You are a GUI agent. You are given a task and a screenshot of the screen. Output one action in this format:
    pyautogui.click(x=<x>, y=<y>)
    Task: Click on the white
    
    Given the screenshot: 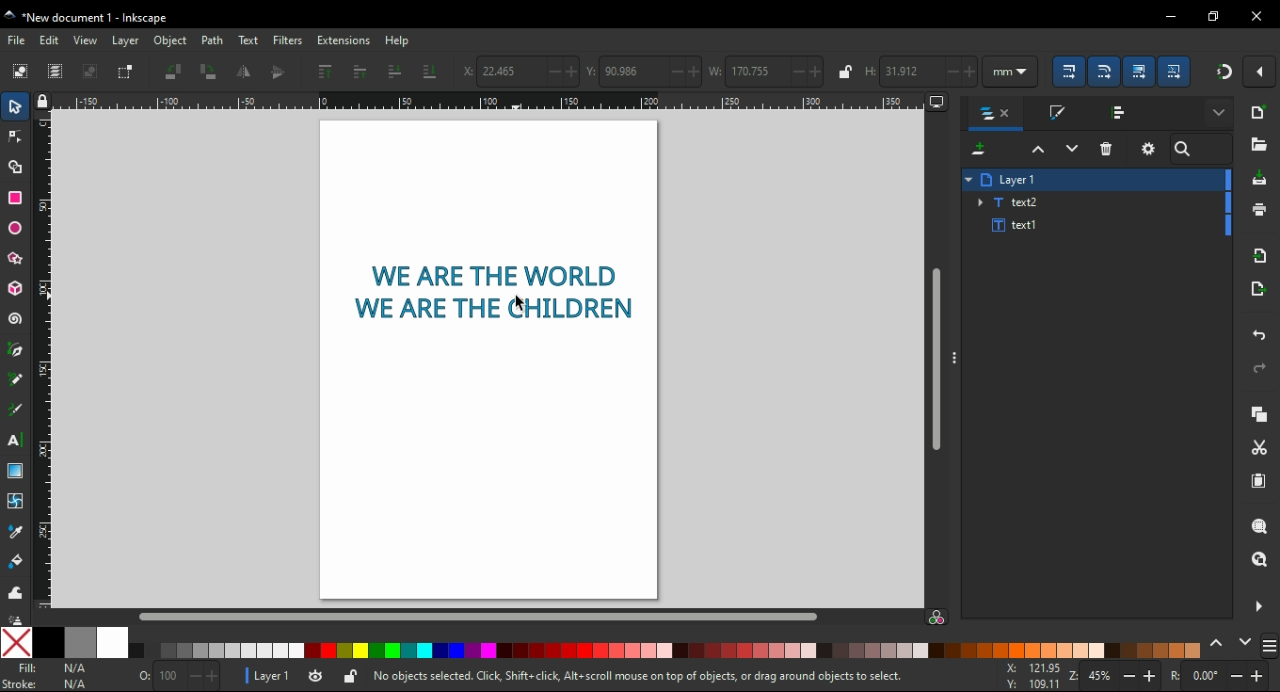 What is the action you would take?
    pyautogui.click(x=114, y=643)
    